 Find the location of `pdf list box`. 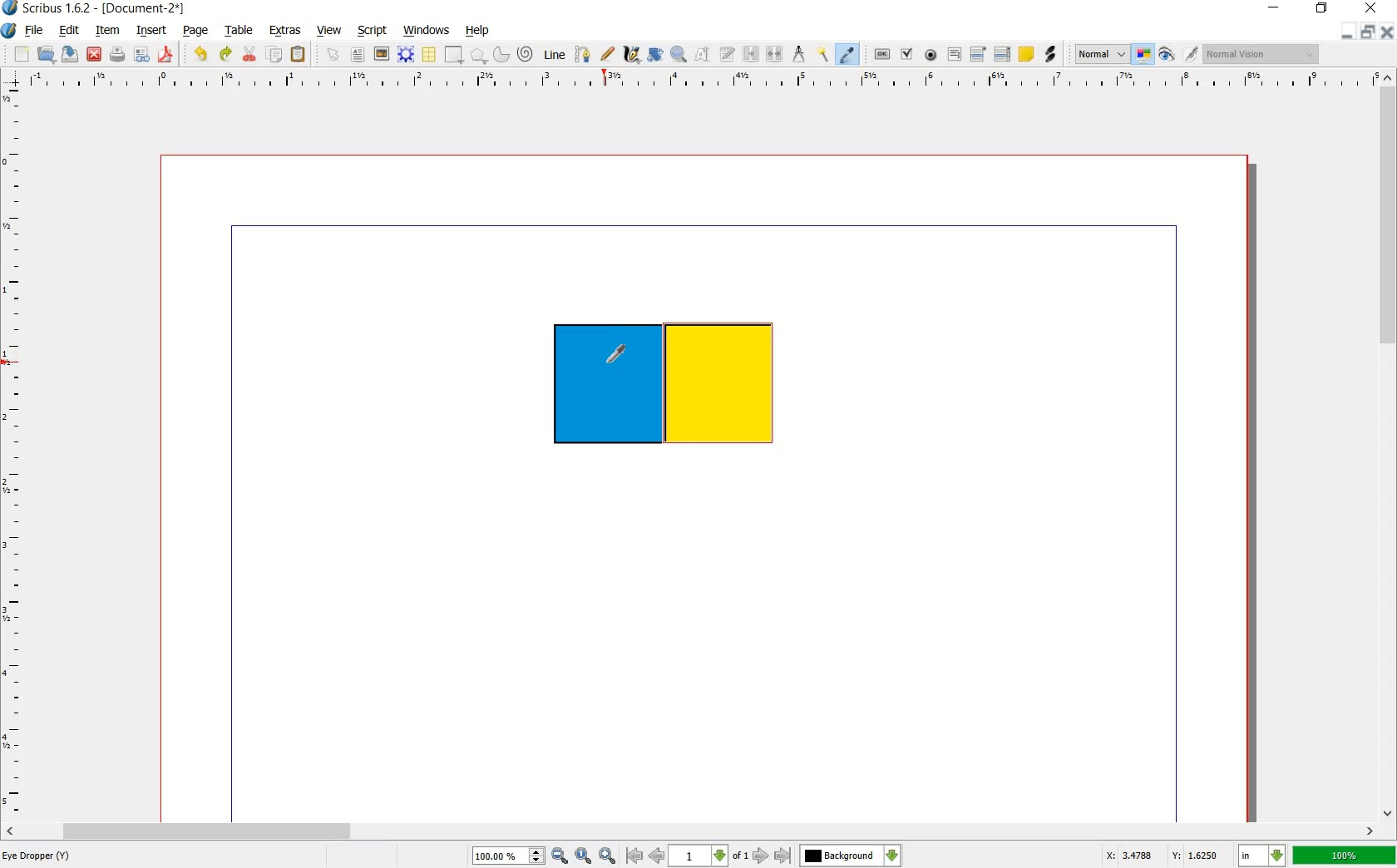

pdf list box is located at coordinates (1002, 55).